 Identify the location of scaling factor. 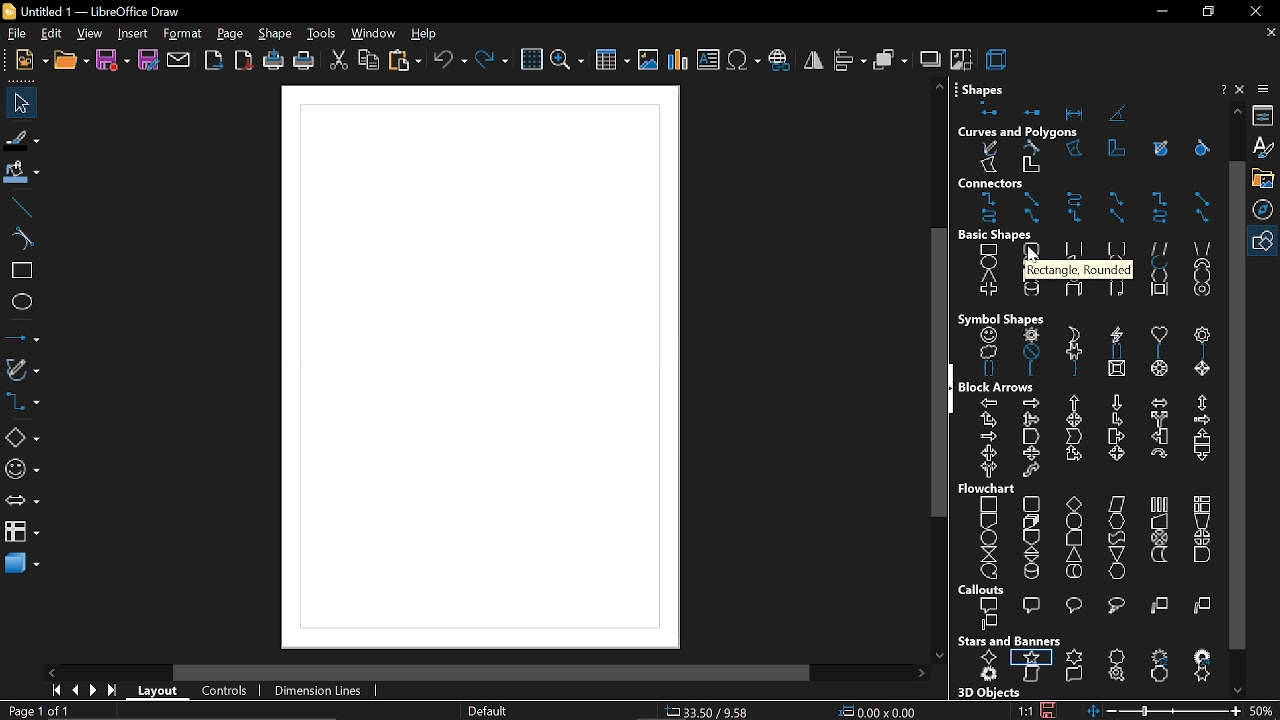
(1025, 711).